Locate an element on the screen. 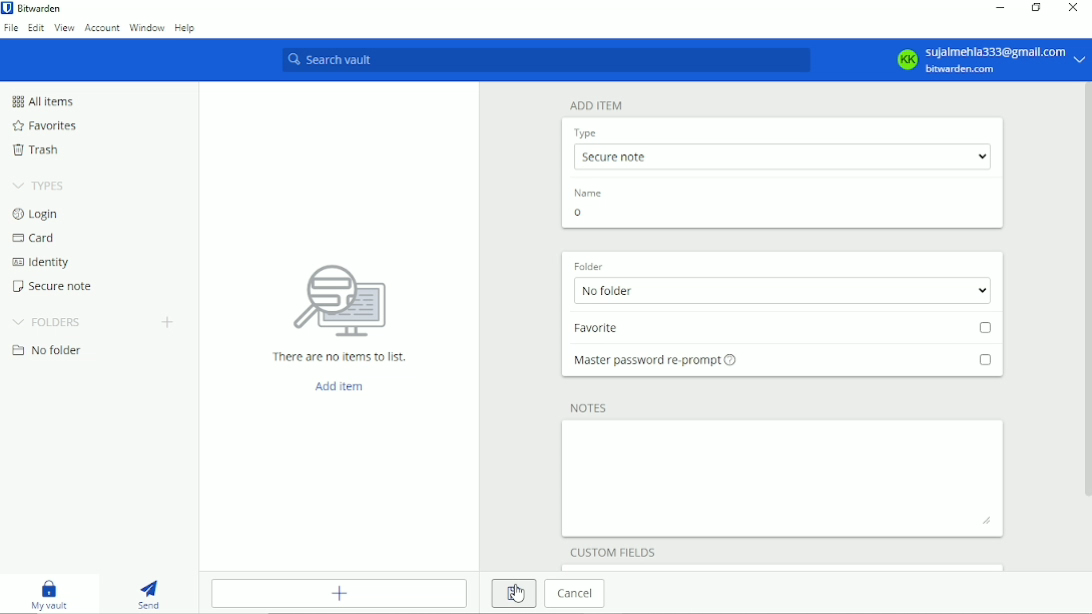 This screenshot has width=1092, height=614. Login is located at coordinates (37, 213).